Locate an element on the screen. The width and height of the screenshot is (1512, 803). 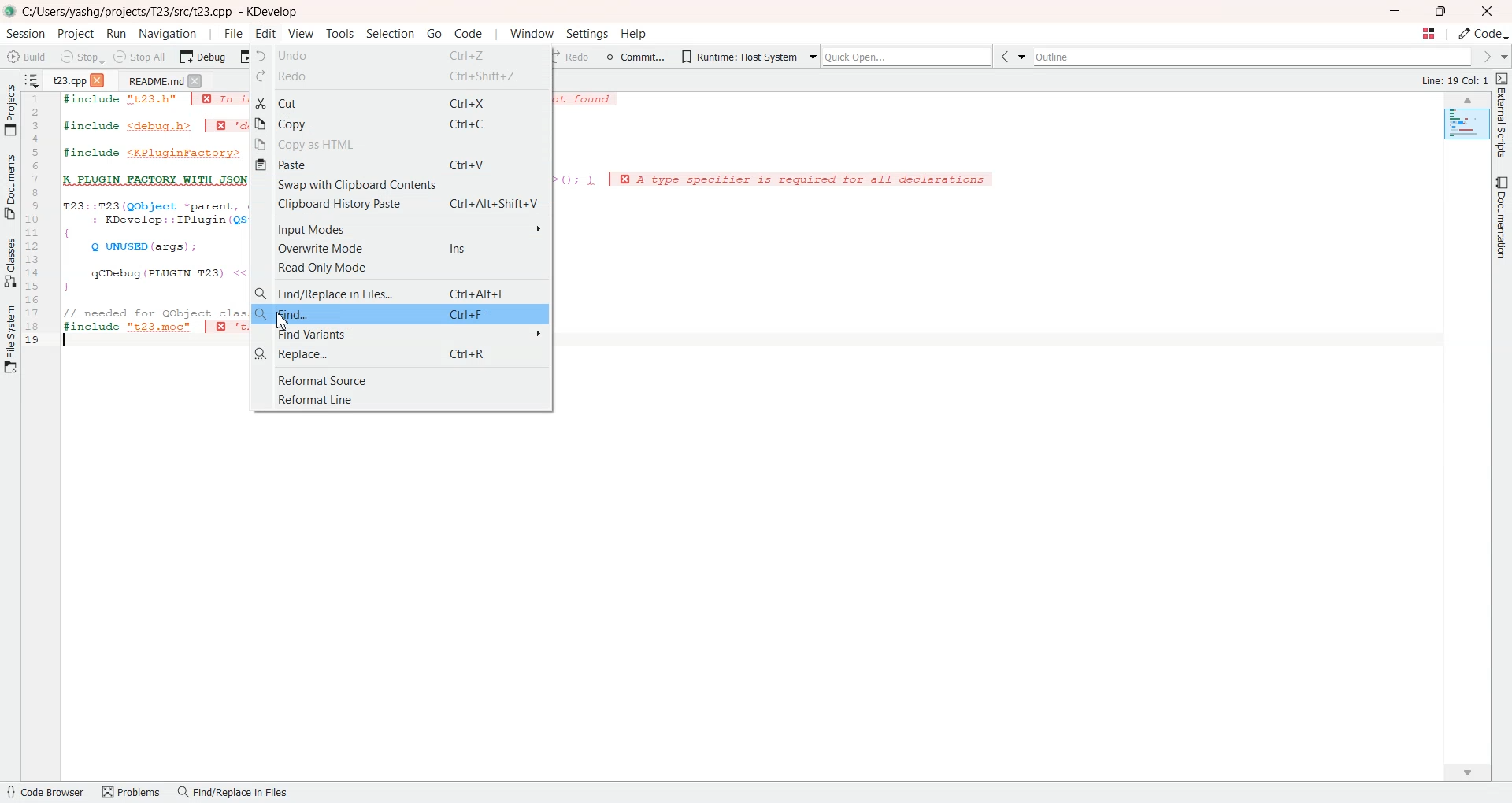
Documention is located at coordinates (1499, 216).